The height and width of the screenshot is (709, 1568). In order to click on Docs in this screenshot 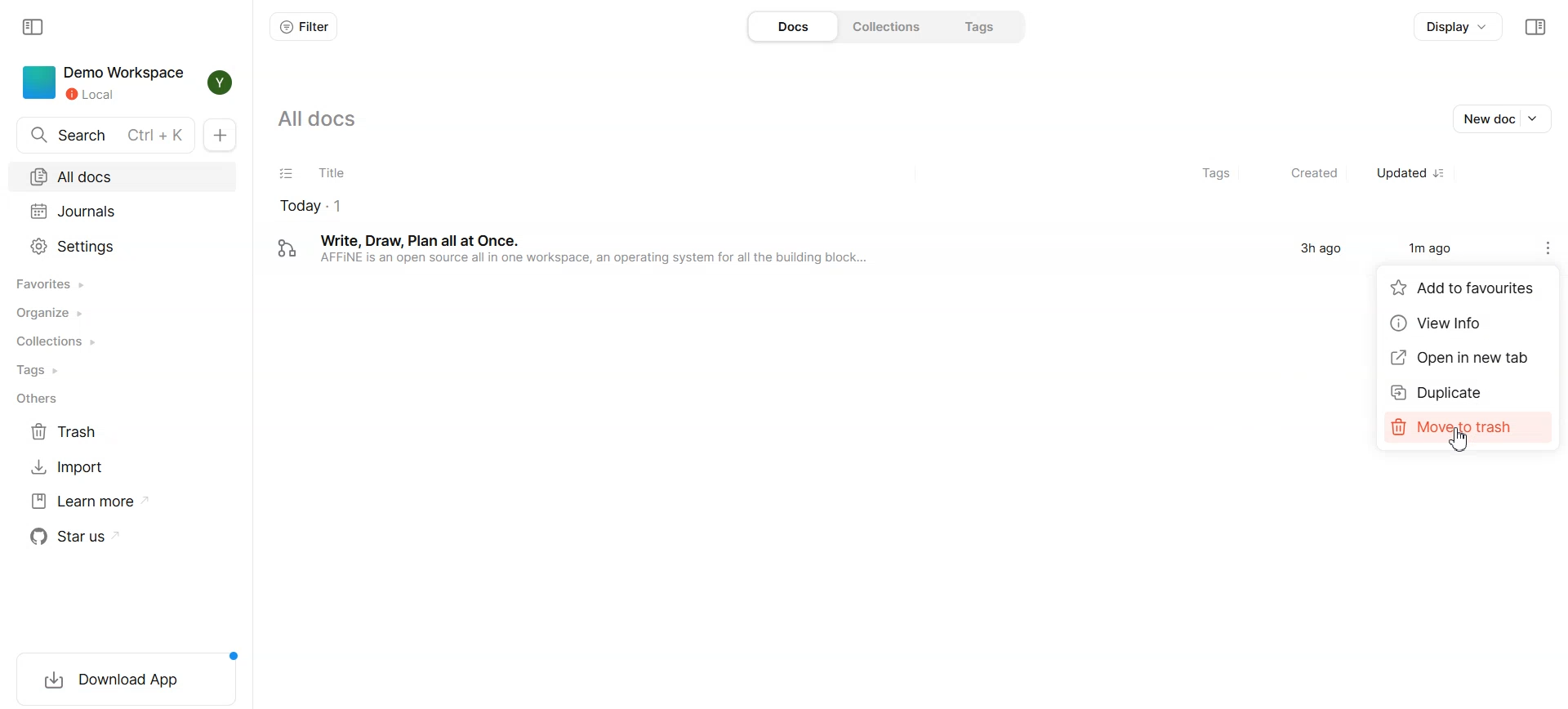, I will do `click(792, 26)`.